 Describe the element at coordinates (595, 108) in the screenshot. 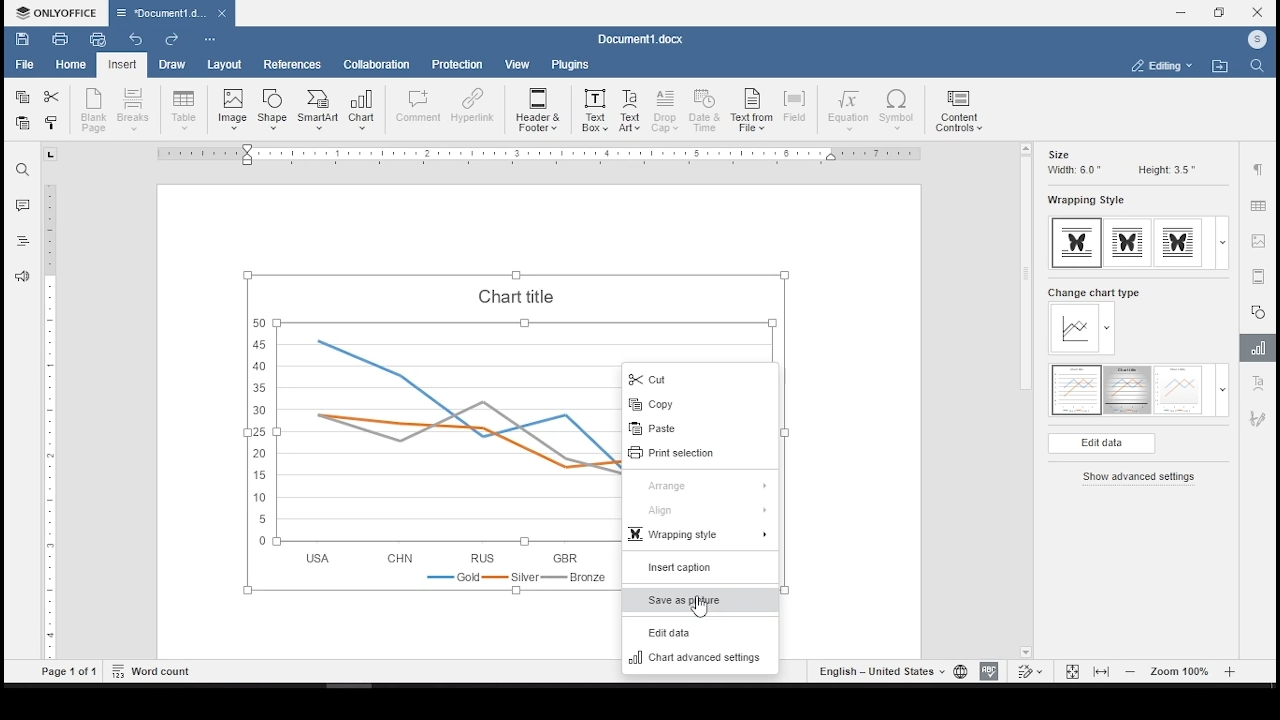

I see `text box` at that location.